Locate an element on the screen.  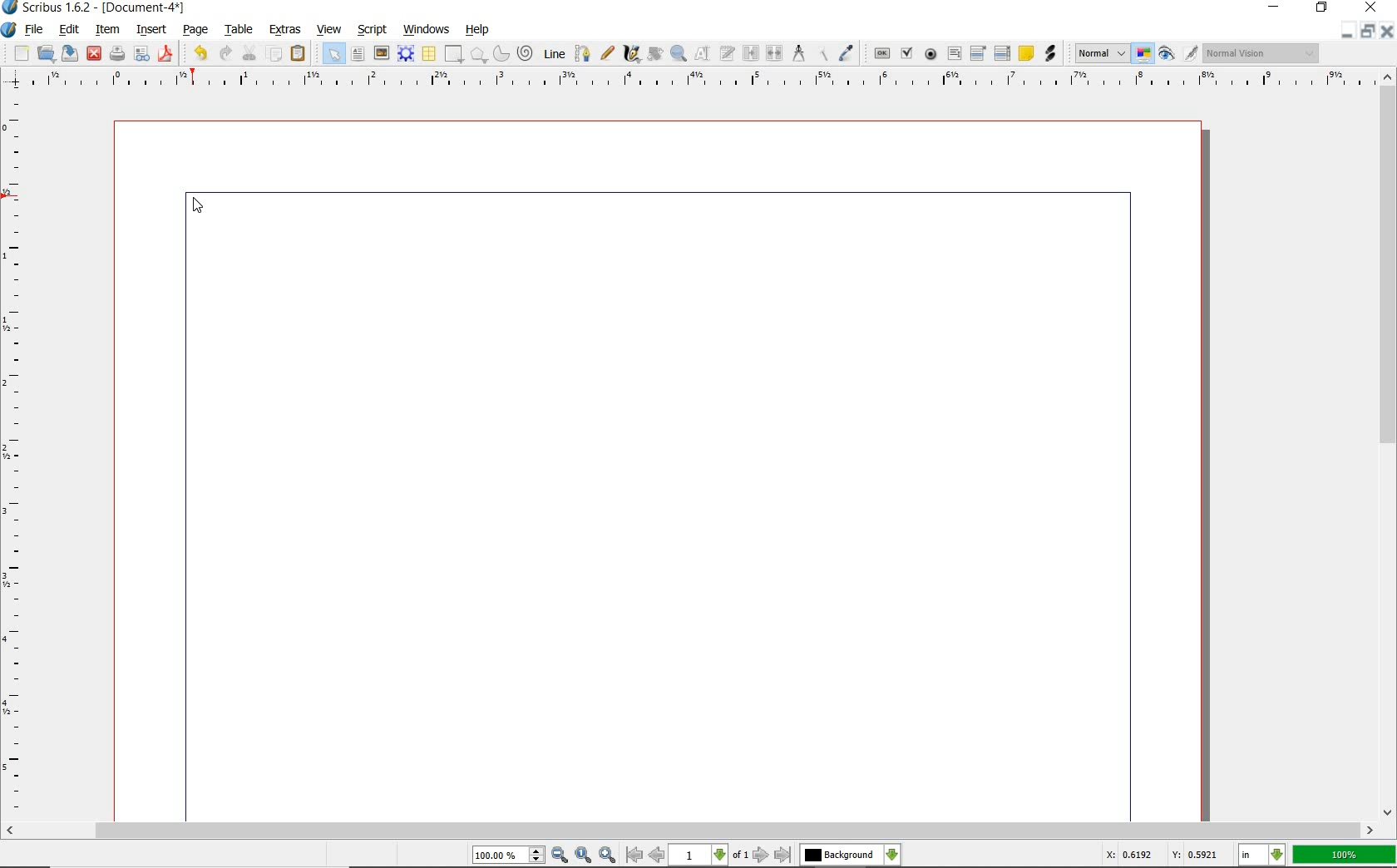
table is located at coordinates (429, 54).